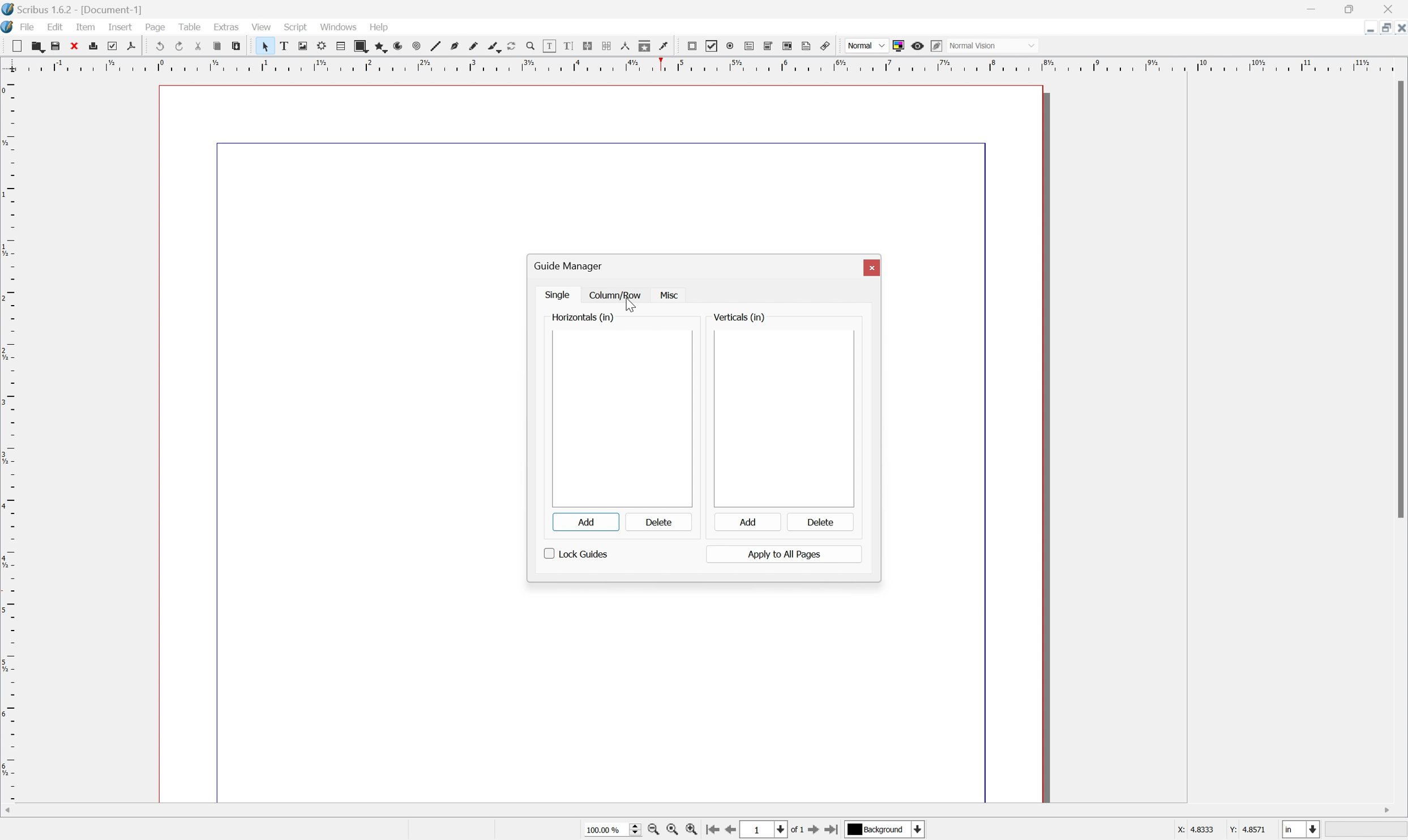 This screenshot has height=840, width=1408. I want to click on spiral, so click(416, 46).